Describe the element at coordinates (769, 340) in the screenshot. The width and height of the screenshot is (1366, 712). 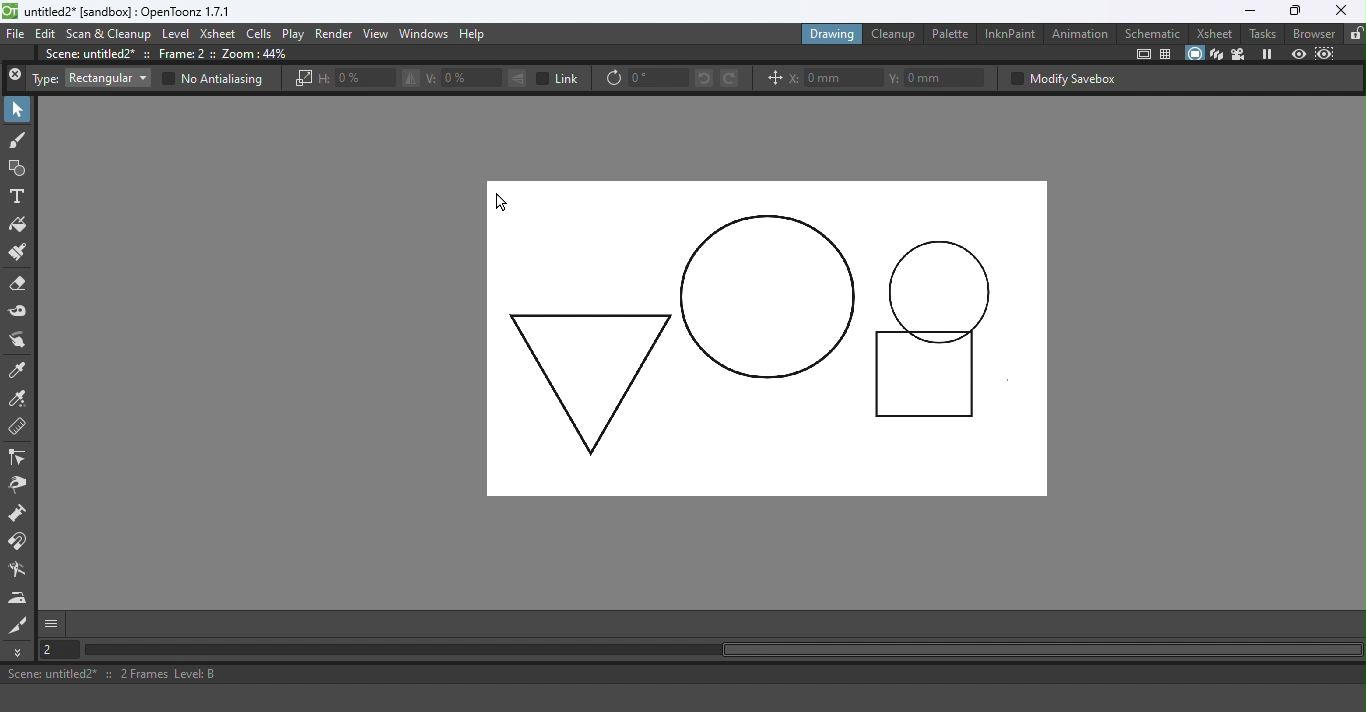
I see `Canvas` at that location.